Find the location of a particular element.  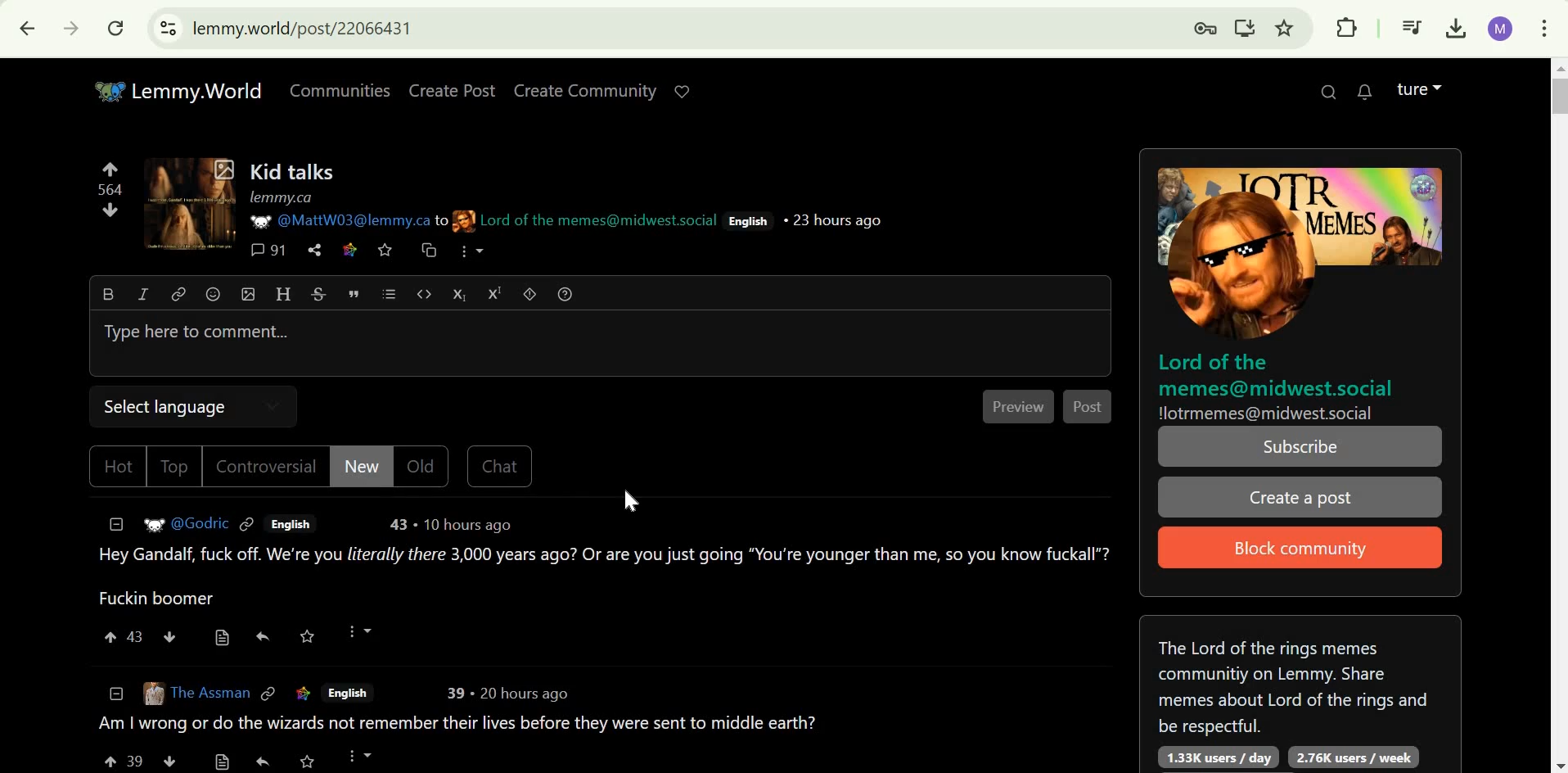

user name is located at coordinates (201, 522).